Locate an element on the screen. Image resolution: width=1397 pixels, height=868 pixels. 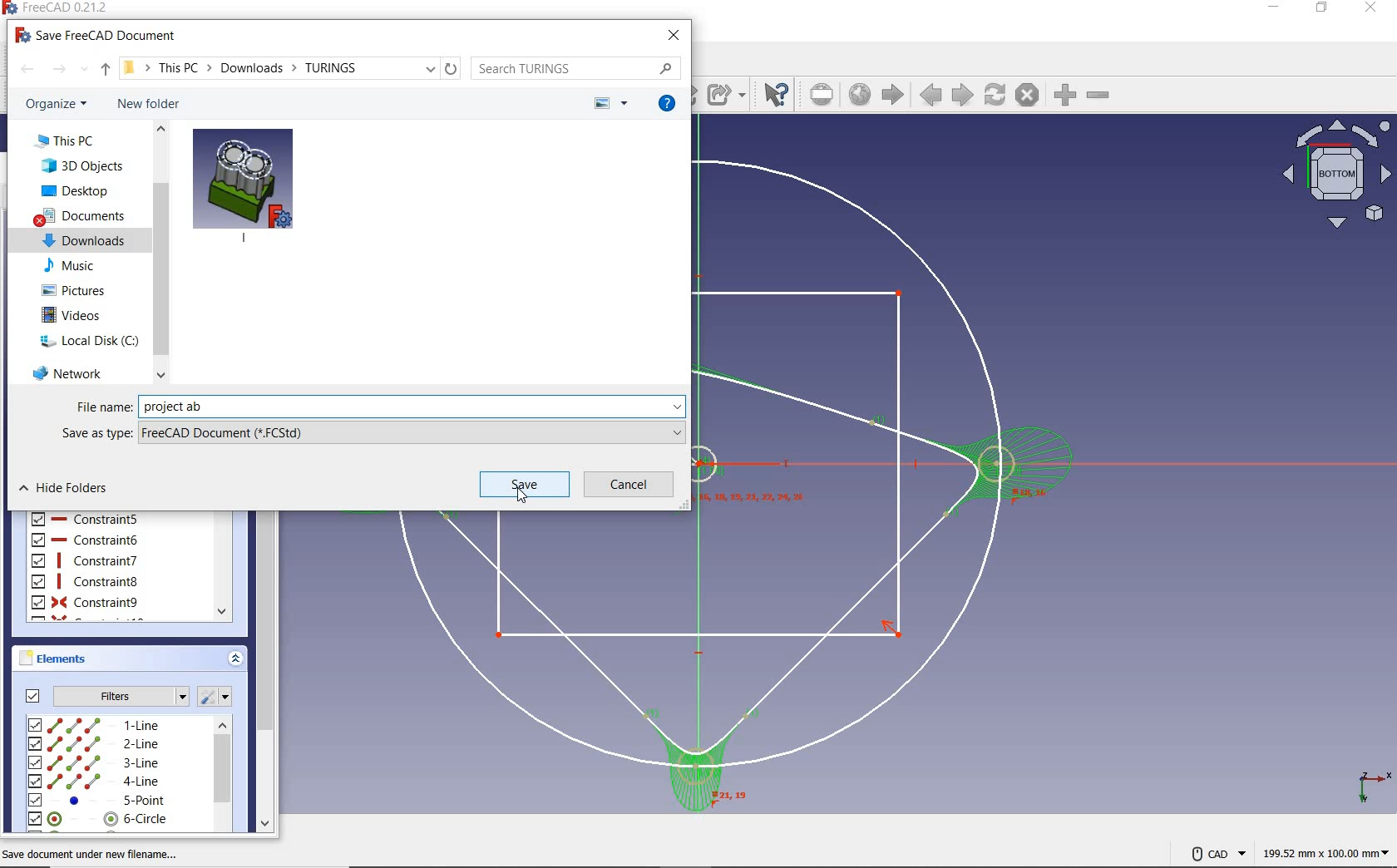
Network is located at coordinates (68, 372).